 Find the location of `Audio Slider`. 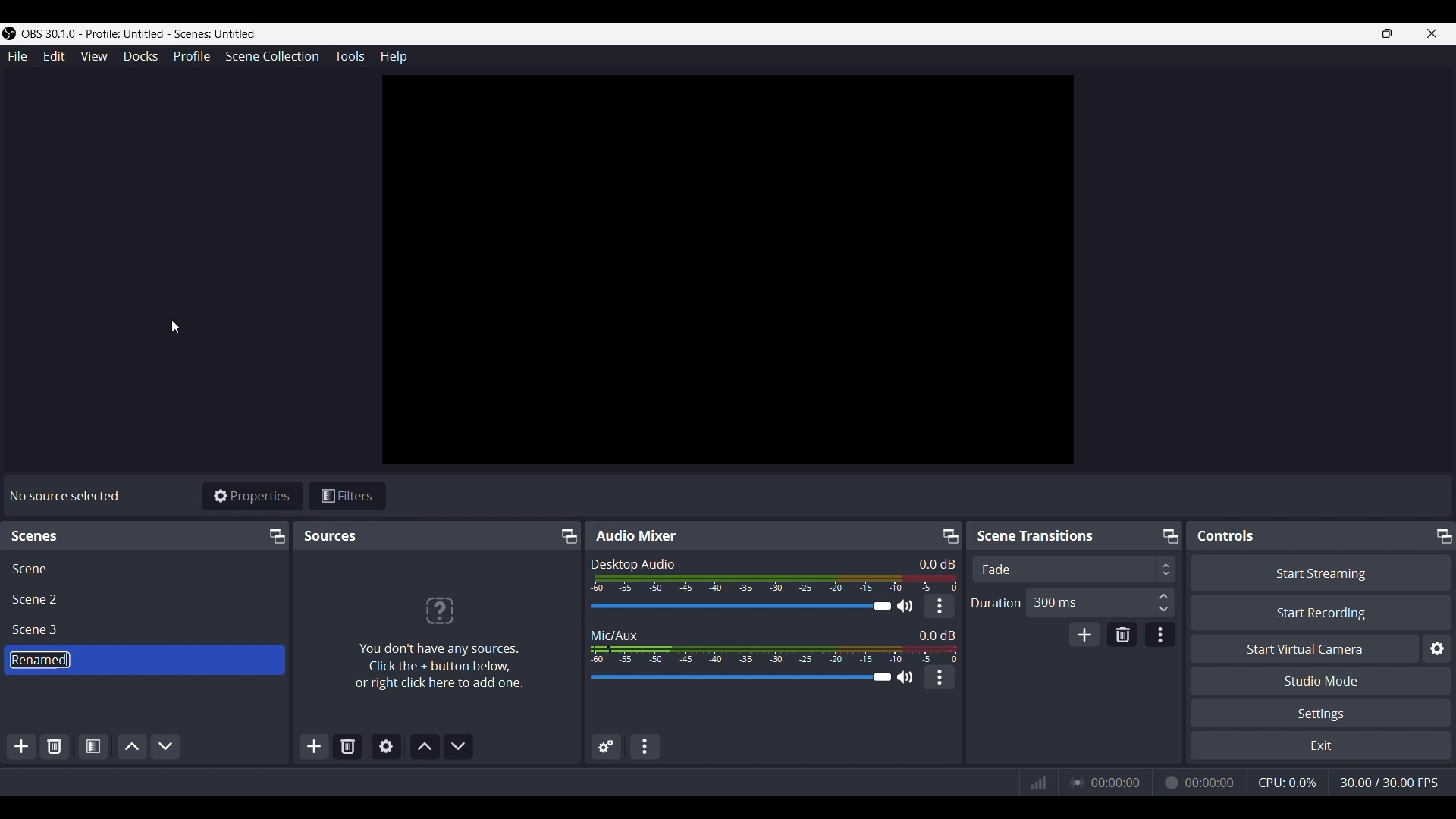

Audio Slider is located at coordinates (739, 679).